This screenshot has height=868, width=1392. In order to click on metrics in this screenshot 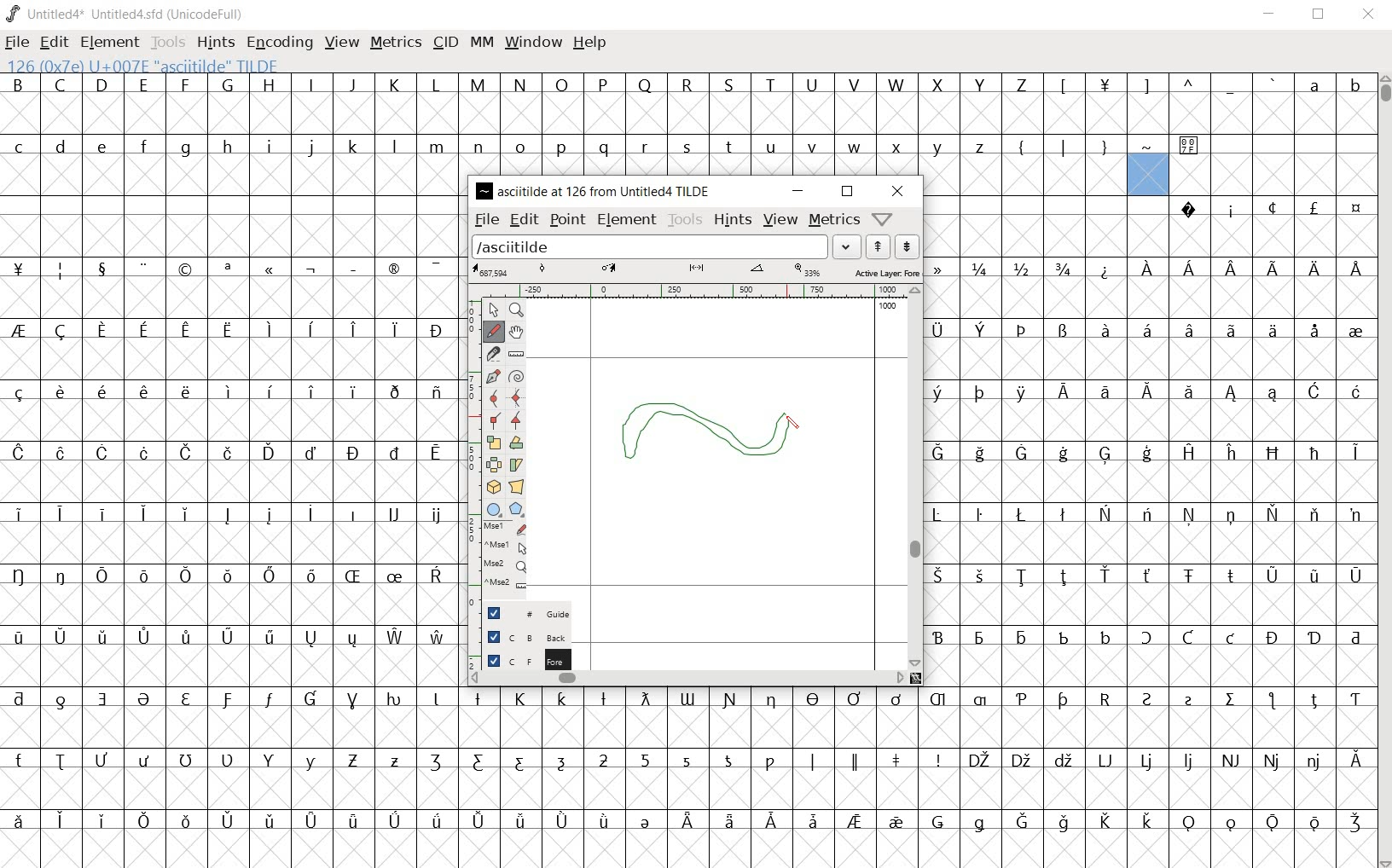, I will do `click(833, 221)`.